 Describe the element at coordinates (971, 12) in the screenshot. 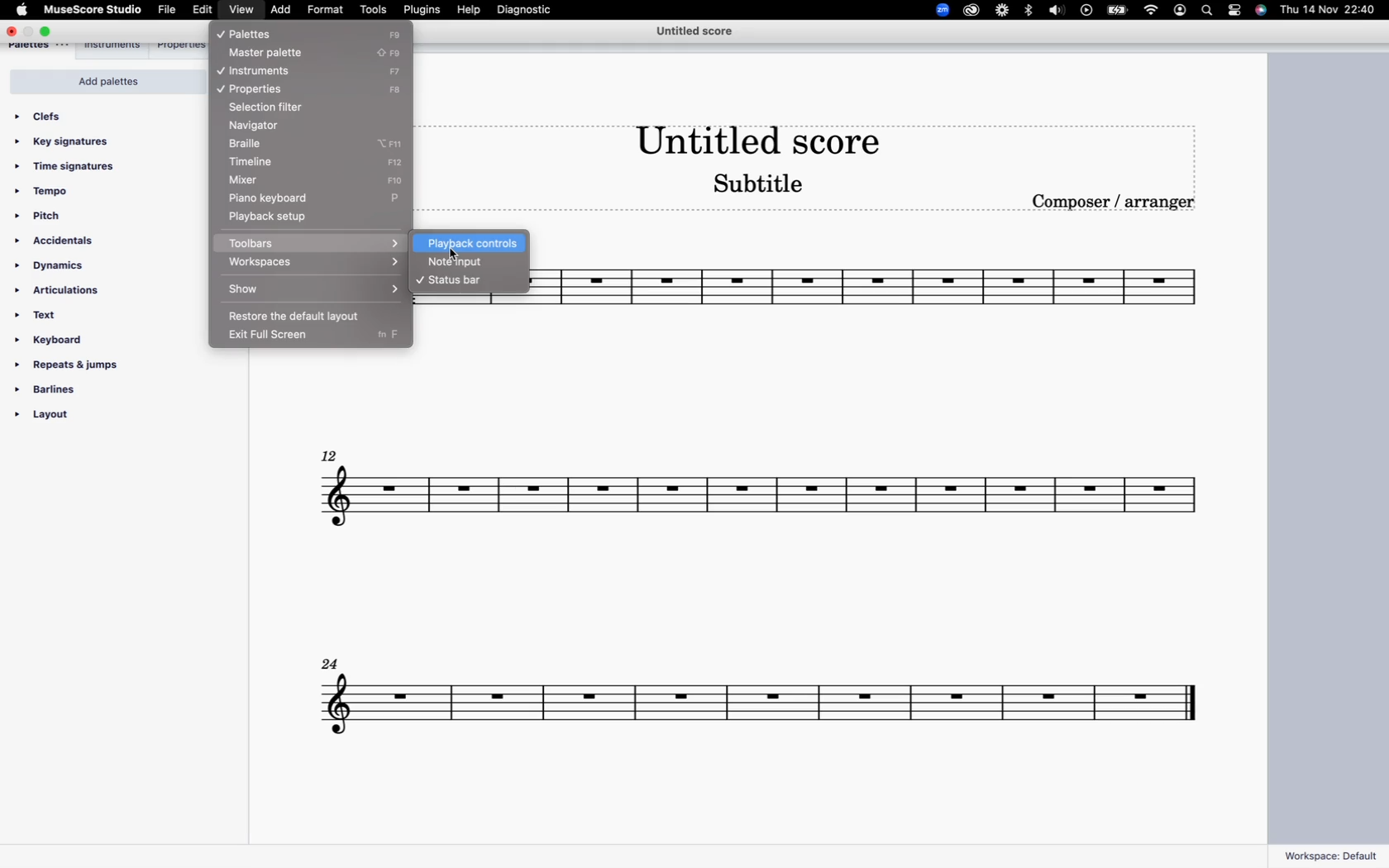

I see `creative cloud` at that location.